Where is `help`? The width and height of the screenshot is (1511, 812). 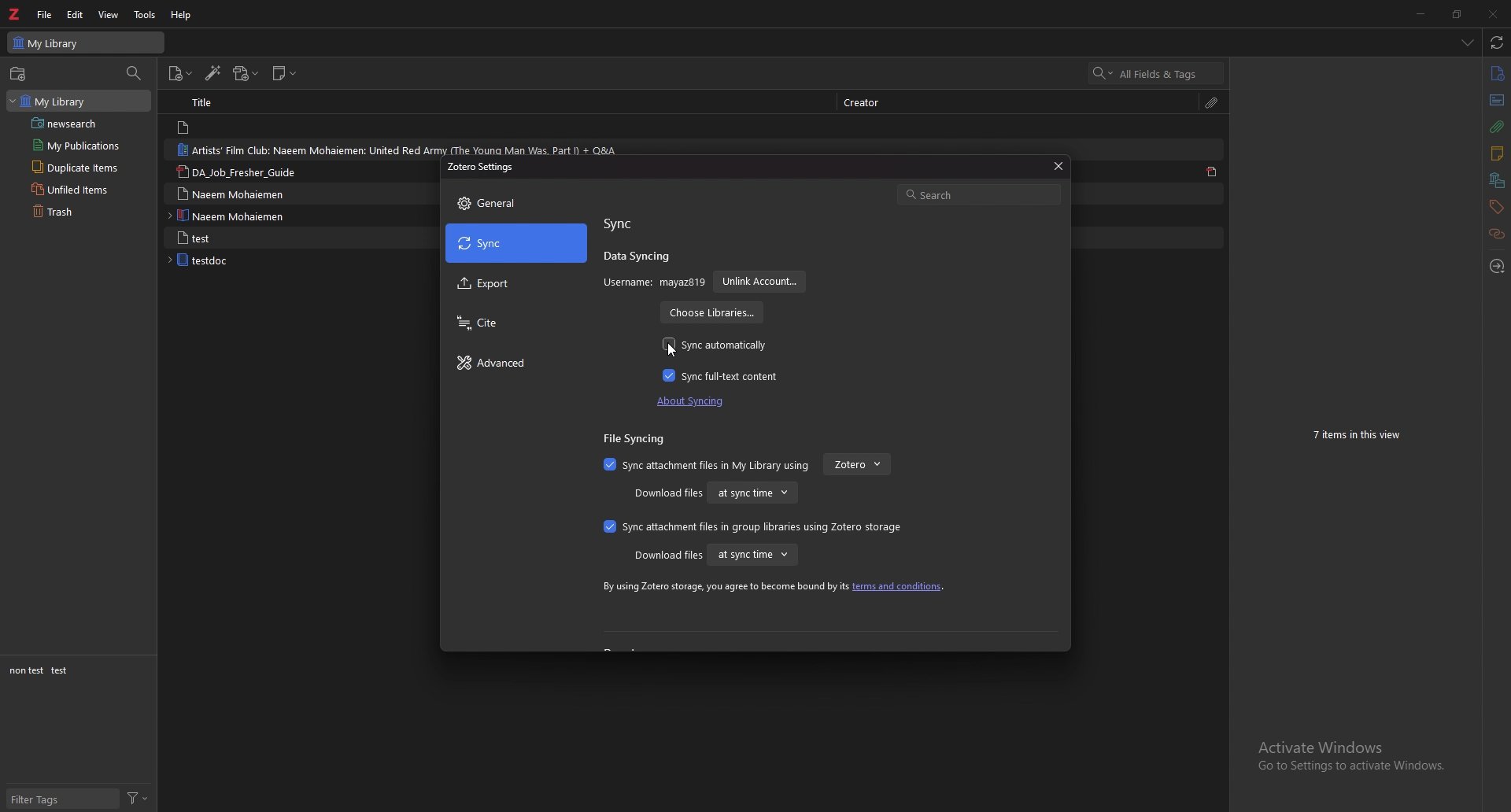
help is located at coordinates (183, 14).